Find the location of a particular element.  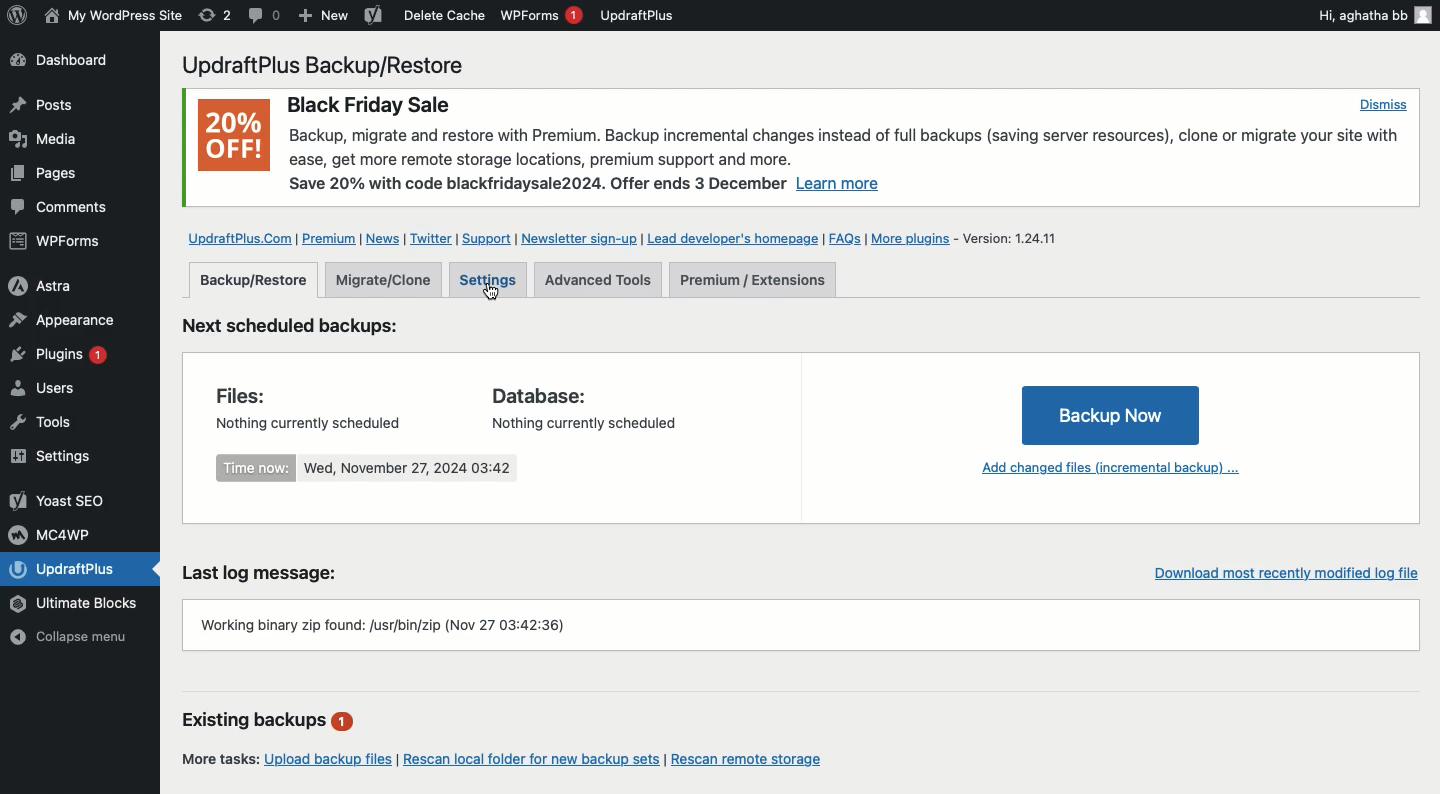

Backup, migrate and restore with Premium. Backup incremental changes instead of full backups (saving server resources), clone or migrate your site withease, get more remote storage locations, premium support and more. Save 20% with code blackfridaysale2024. Offer ends 3 December Learn more is located at coordinates (849, 161).